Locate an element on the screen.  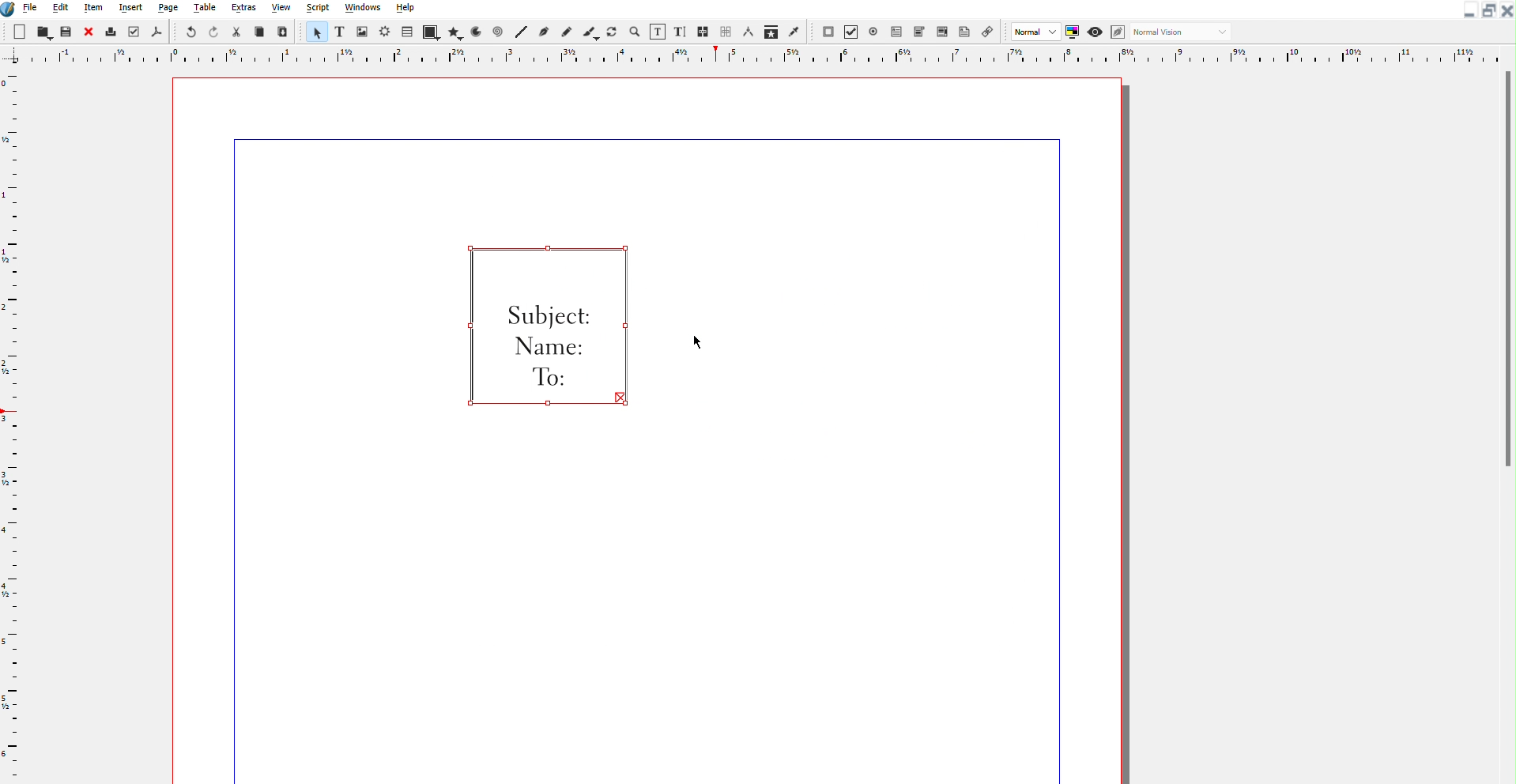
Copy is located at coordinates (259, 32).